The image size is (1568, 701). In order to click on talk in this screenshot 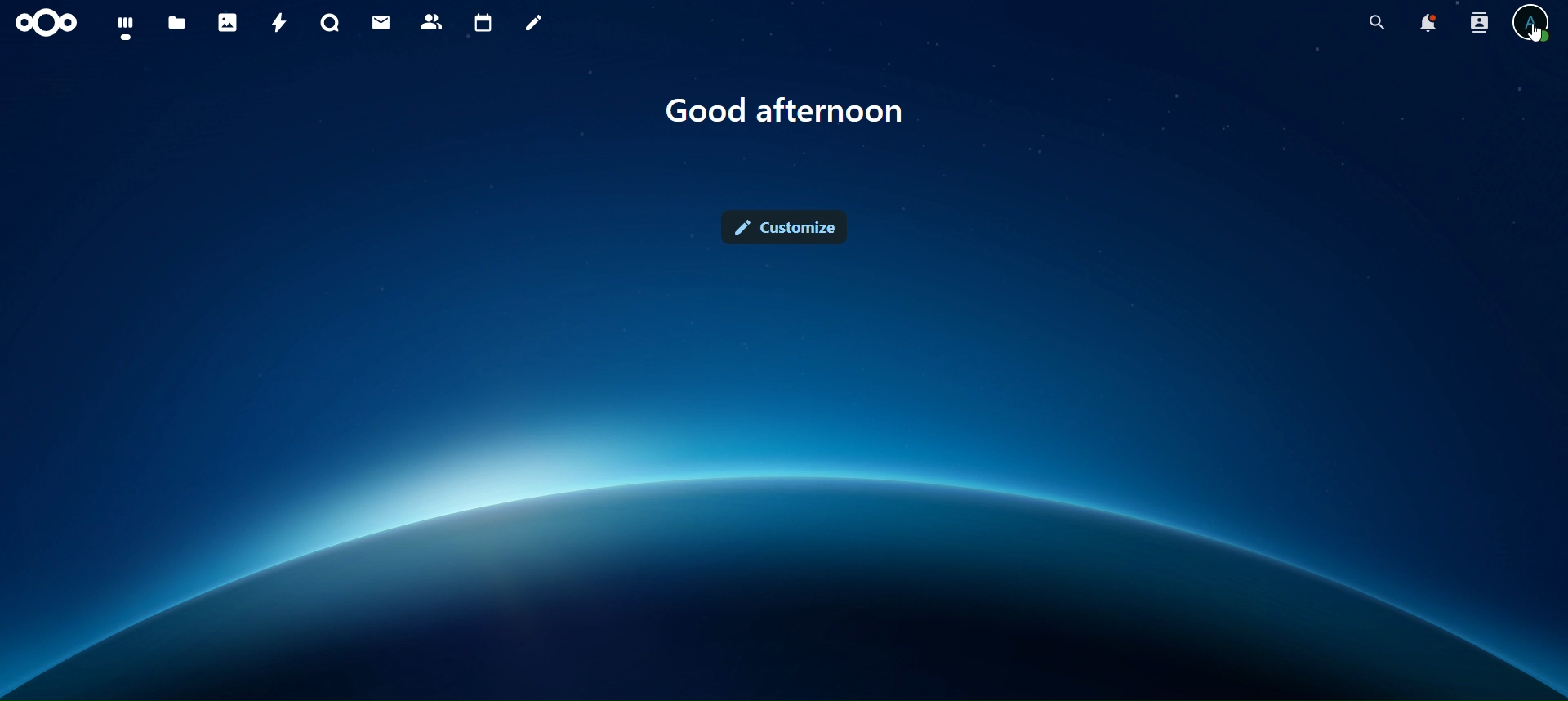, I will do `click(332, 23)`.